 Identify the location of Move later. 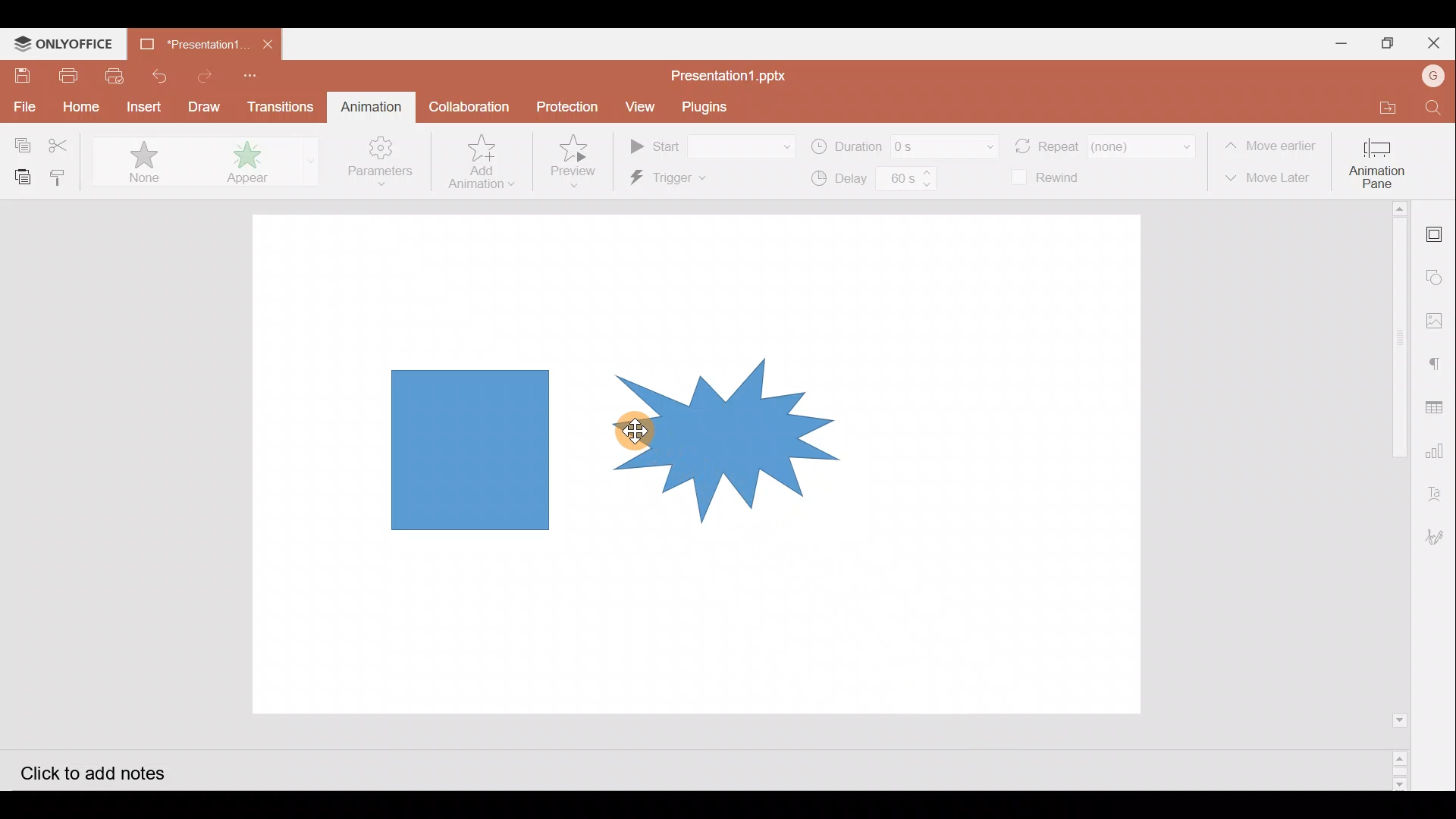
(1272, 178).